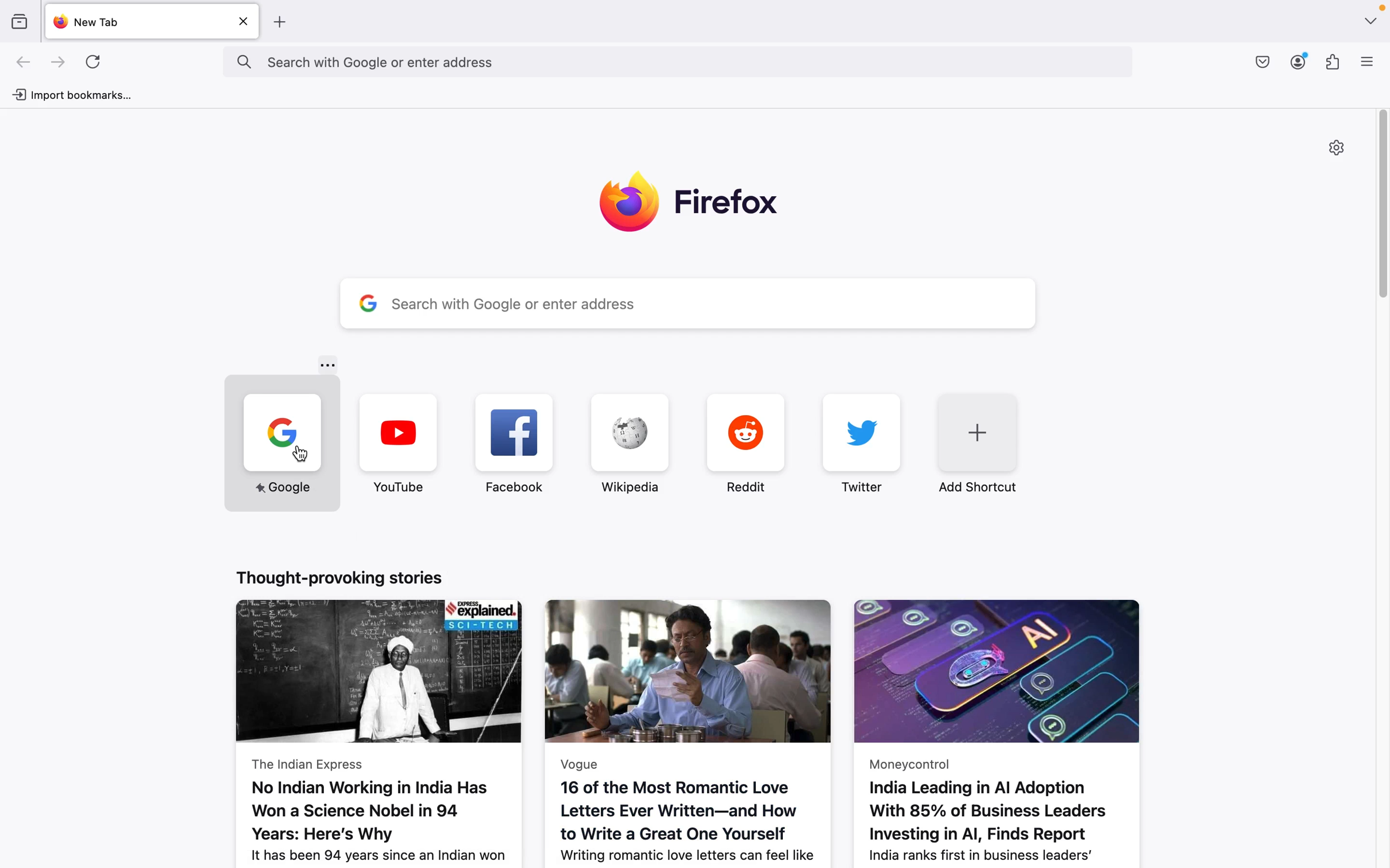 Image resolution: width=1390 pixels, height=868 pixels. Describe the element at coordinates (384, 732) in the screenshot. I see `No Indian Working in India Has
Won a Science Nobel in 94
Years: Here's Why` at that location.